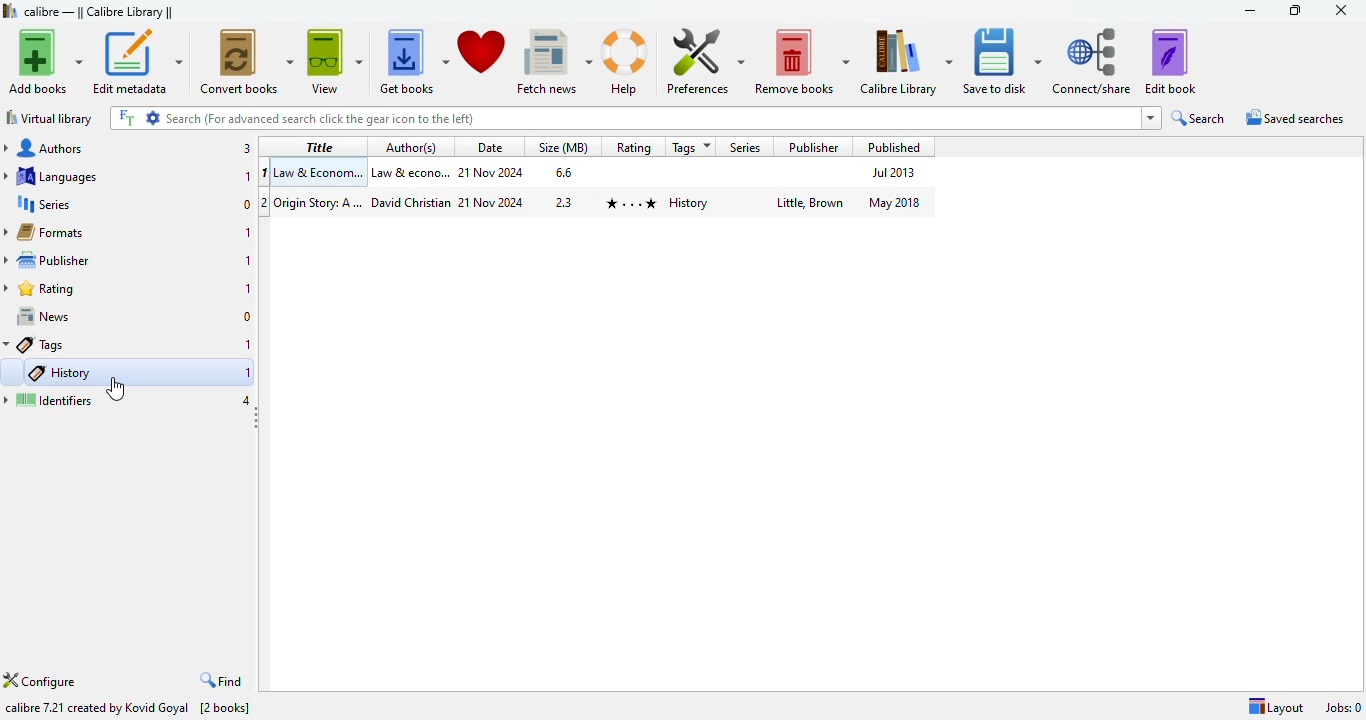 The height and width of the screenshot is (720, 1366). What do you see at coordinates (139, 62) in the screenshot?
I see `edit metadata` at bounding box center [139, 62].